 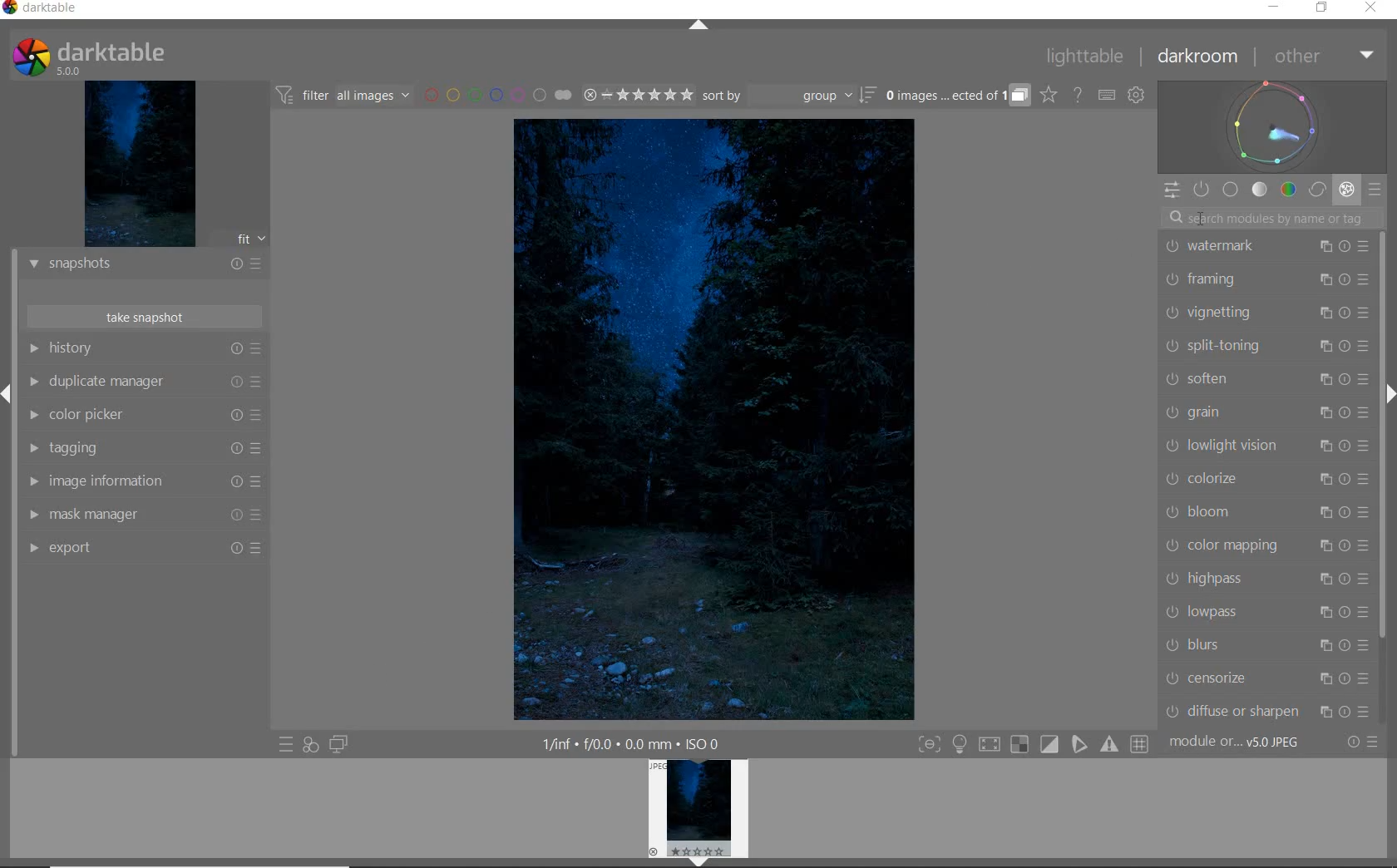 What do you see at coordinates (1347, 190) in the screenshot?
I see `EFFECT` at bounding box center [1347, 190].